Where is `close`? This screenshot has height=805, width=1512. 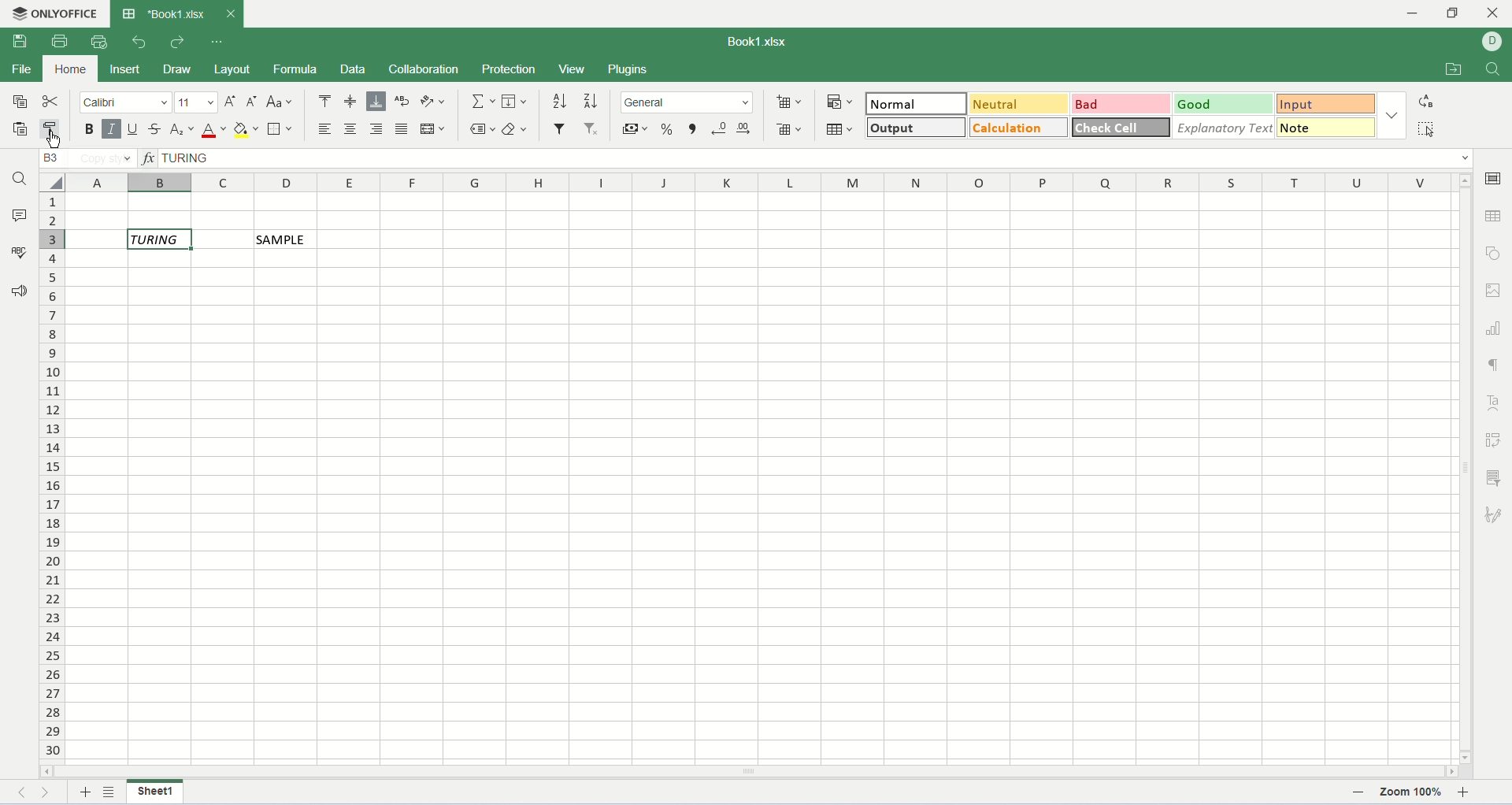
close is located at coordinates (229, 13).